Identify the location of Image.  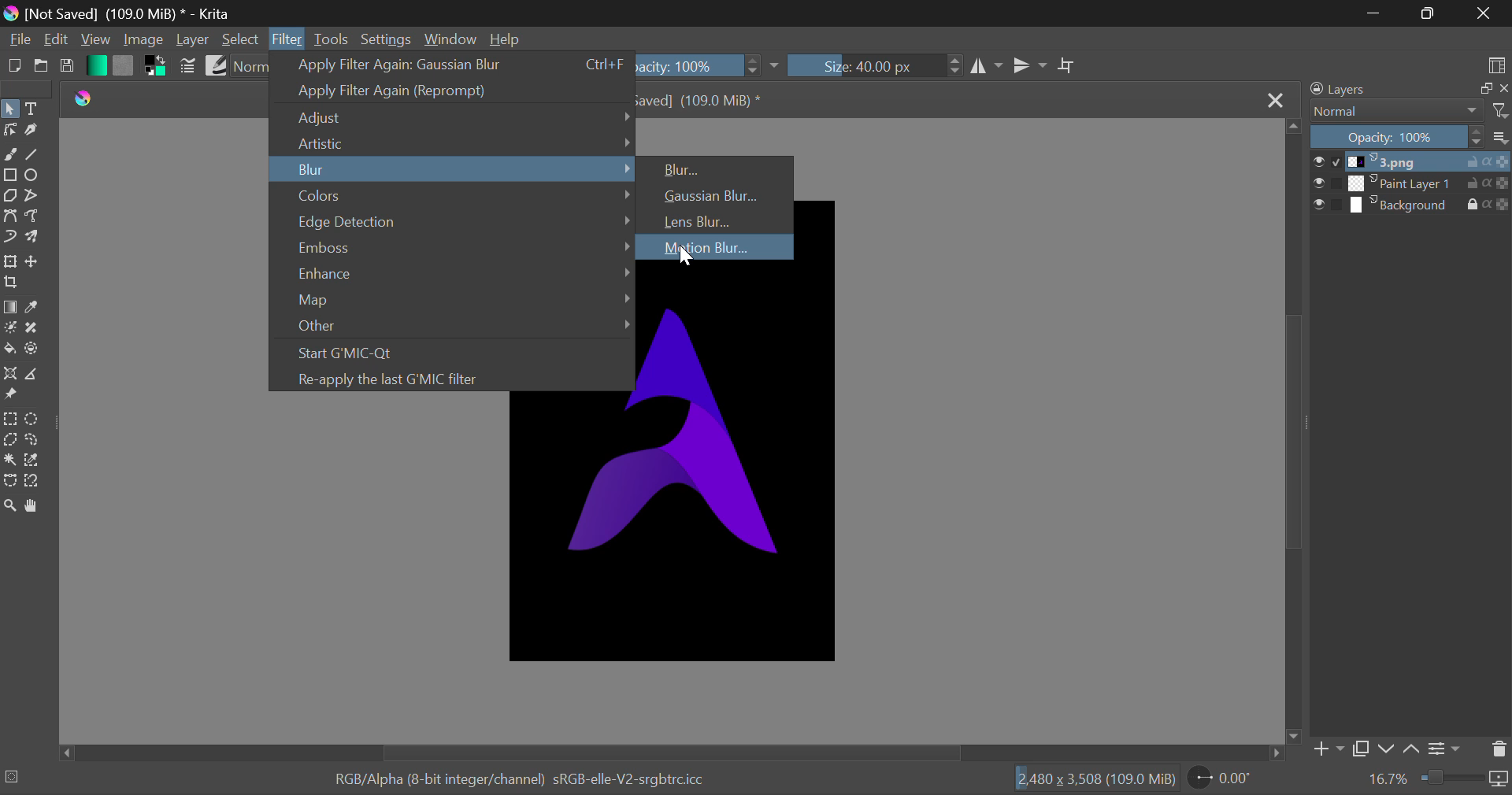
(143, 41).